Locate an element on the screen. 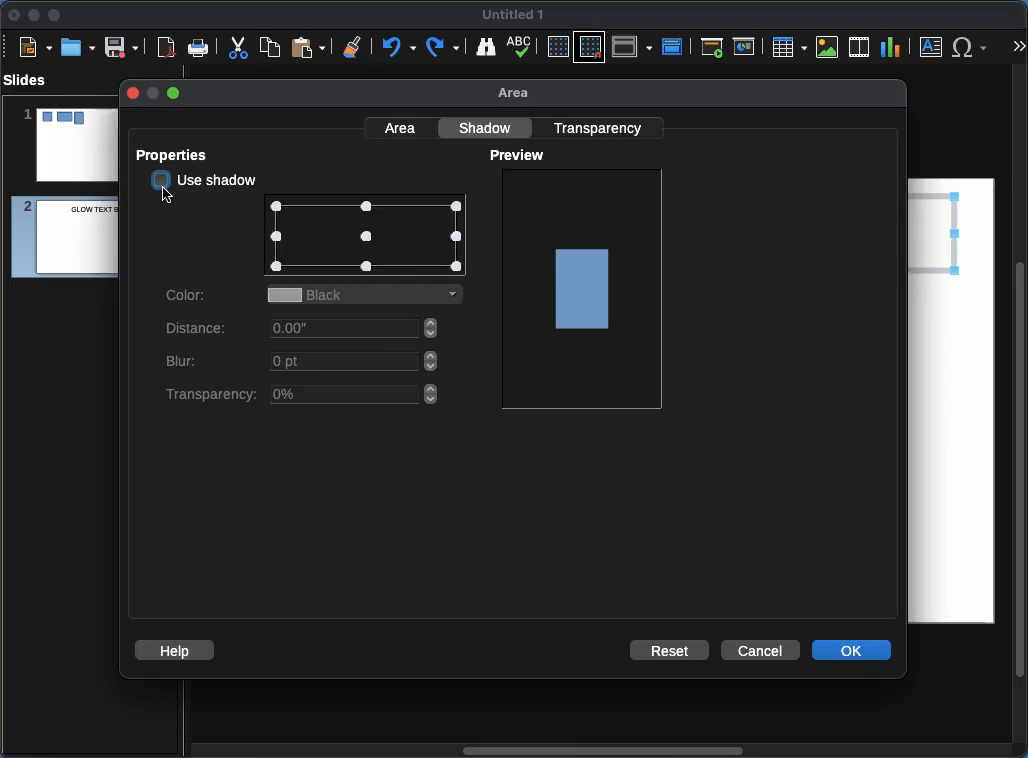 The height and width of the screenshot is (758, 1028). Audio or video is located at coordinates (860, 47).